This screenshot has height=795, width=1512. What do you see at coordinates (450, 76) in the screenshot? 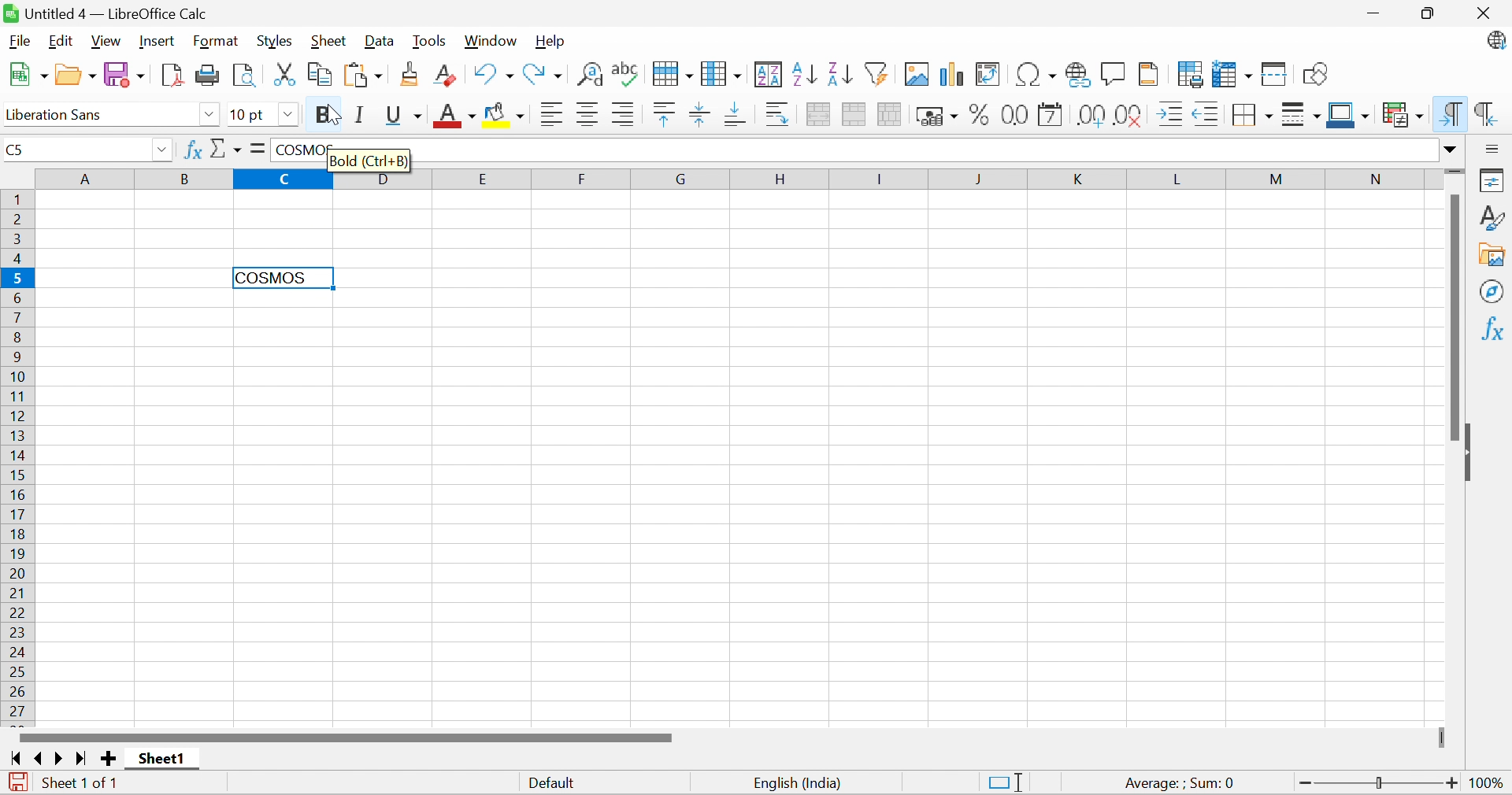
I see `Clear Direct Formatting` at bounding box center [450, 76].